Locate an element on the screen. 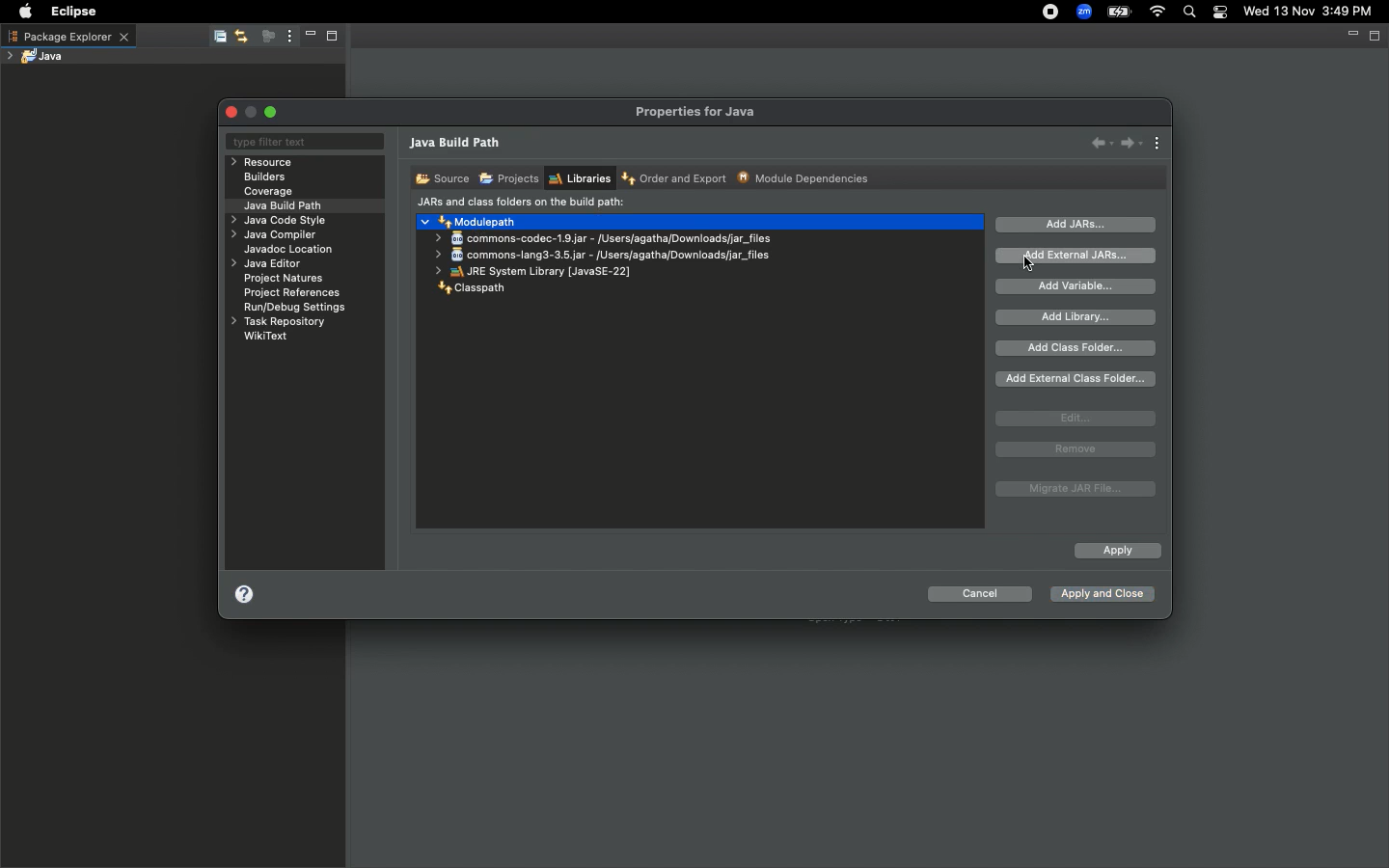  Apply and close is located at coordinates (1101, 596).